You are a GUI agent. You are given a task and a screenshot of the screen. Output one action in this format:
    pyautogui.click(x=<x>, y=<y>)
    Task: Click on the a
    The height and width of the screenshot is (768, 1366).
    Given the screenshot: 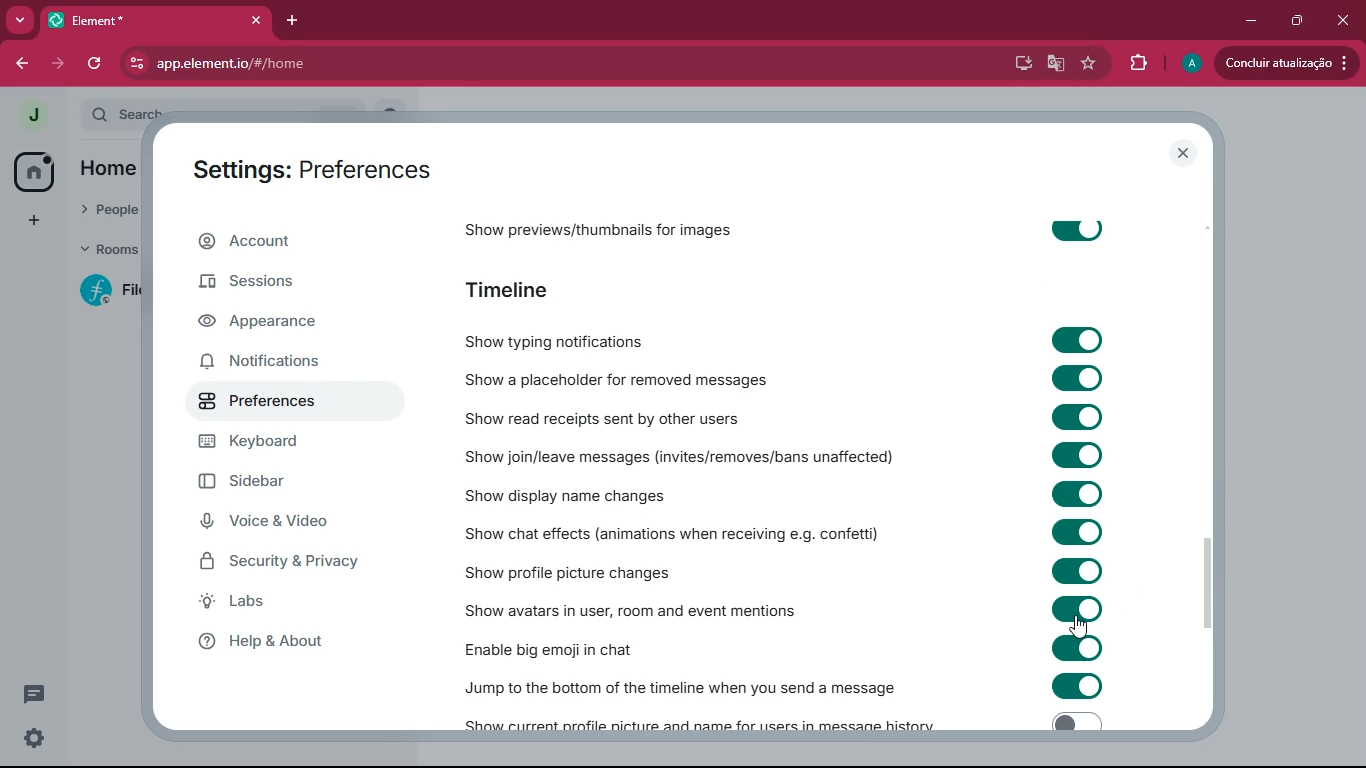 What is the action you would take?
    pyautogui.click(x=1192, y=64)
    